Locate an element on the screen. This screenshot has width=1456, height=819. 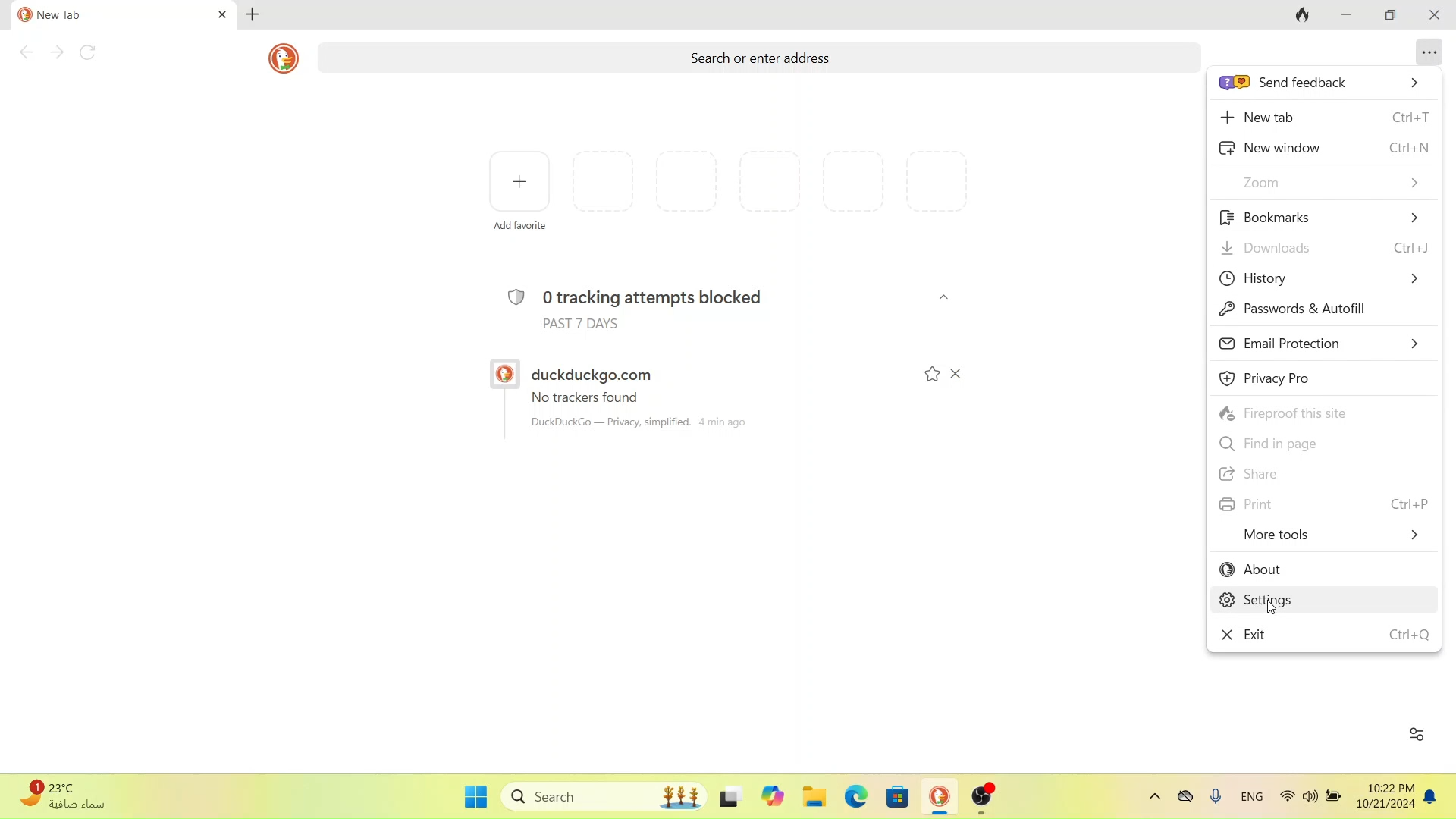
 is located at coordinates (730, 794).